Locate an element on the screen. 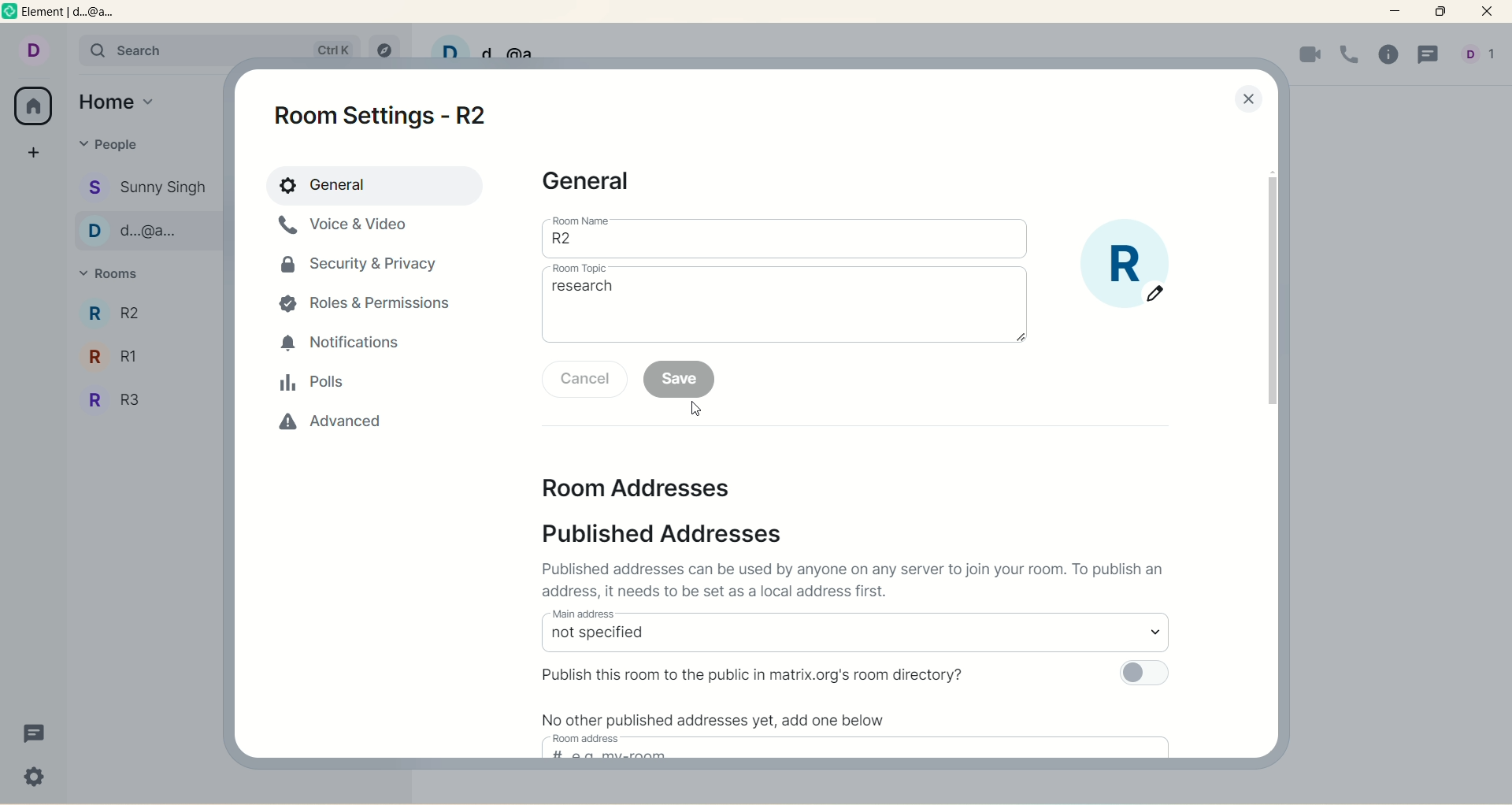 The height and width of the screenshot is (805, 1512). people is located at coordinates (110, 144).